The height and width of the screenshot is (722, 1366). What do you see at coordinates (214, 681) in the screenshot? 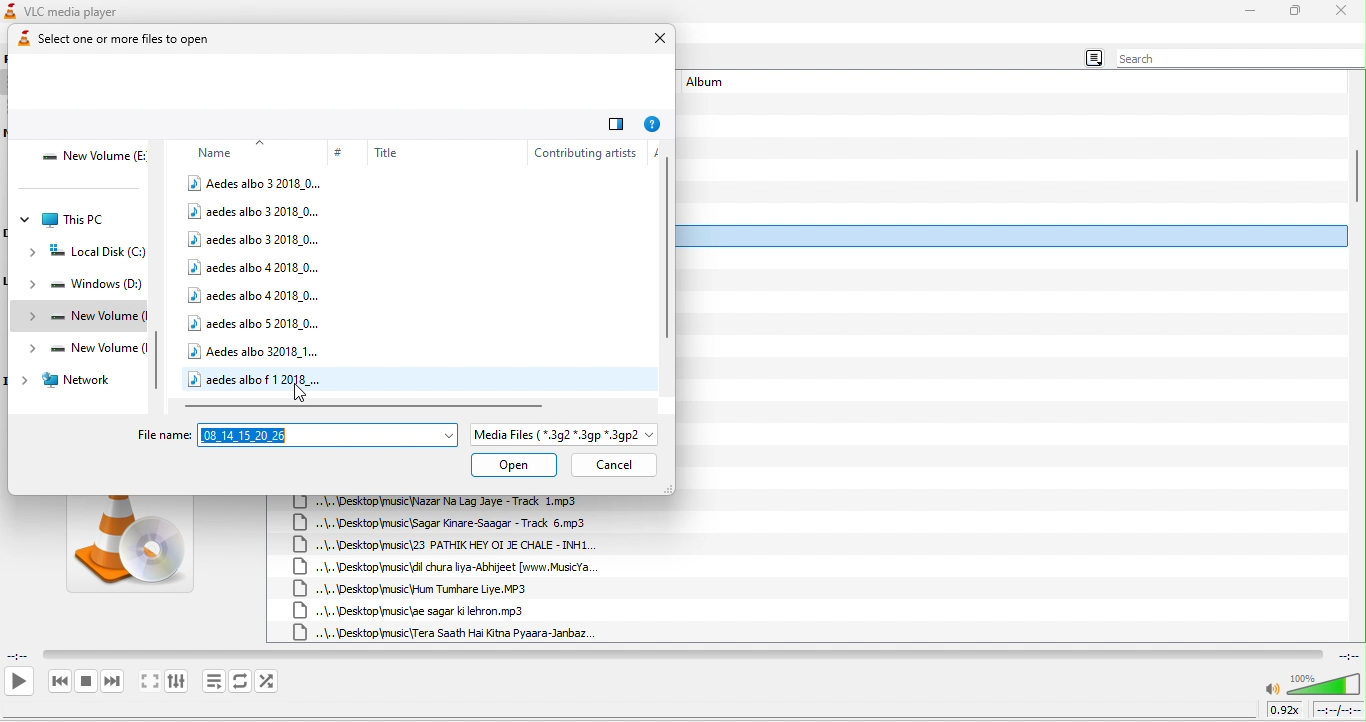
I see `toggle playlist` at bounding box center [214, 681].